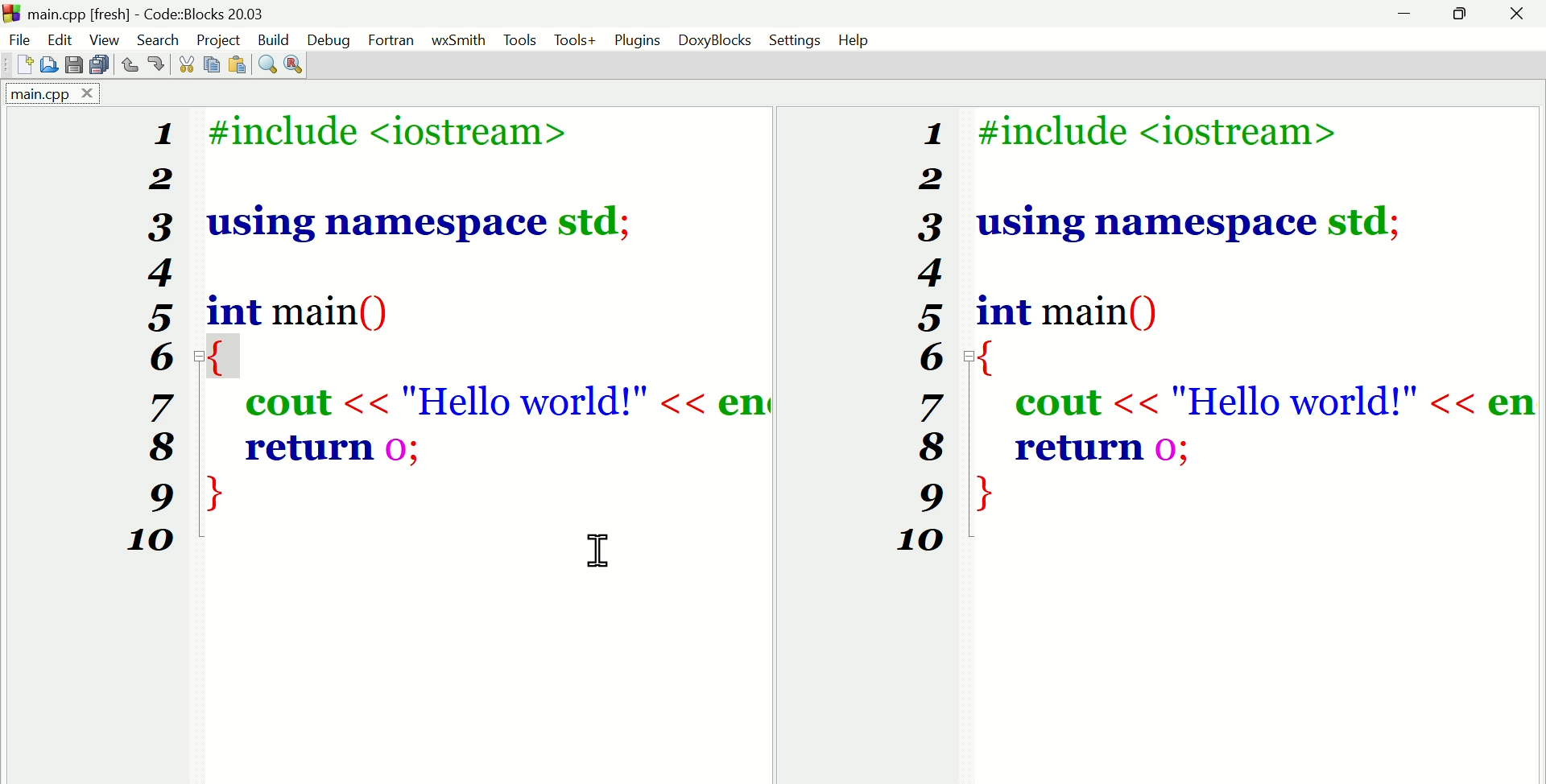 The width and height of the screenshot is (1546, 784). Describe the element at coordinates (635, 39) in the screenshot. I see `plugins` at that location.